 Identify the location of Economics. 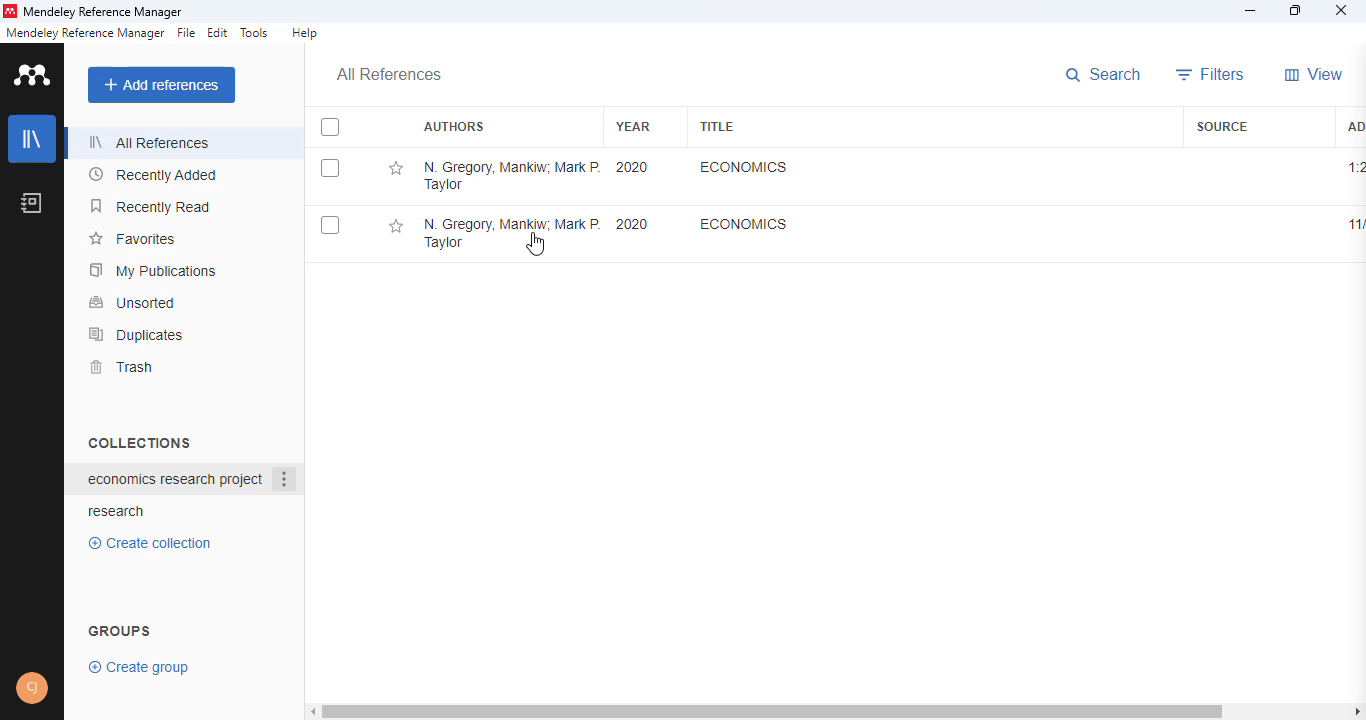
(741, 167).